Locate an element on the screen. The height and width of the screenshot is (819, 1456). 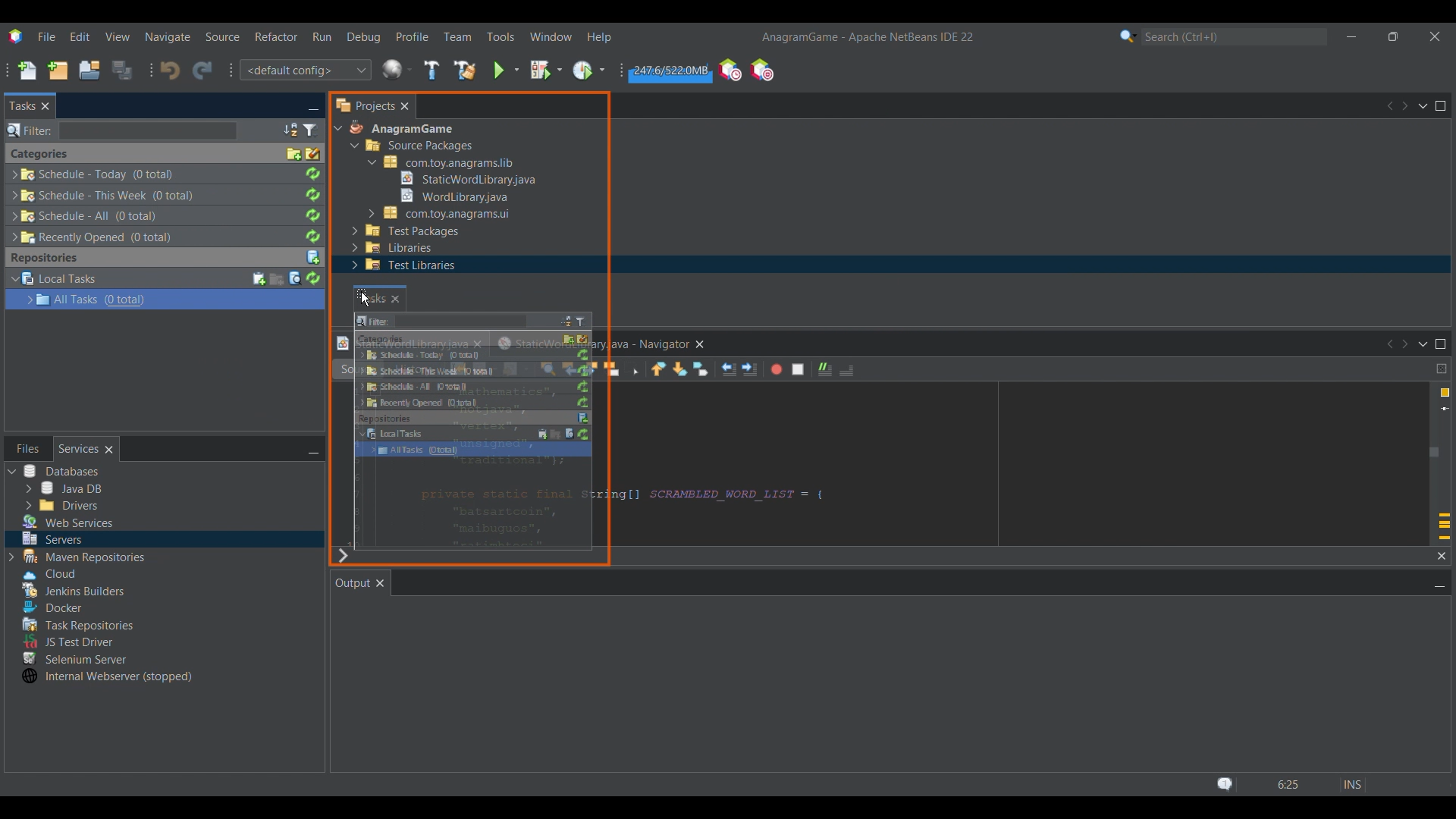
 is located at coordinates (106, 676).